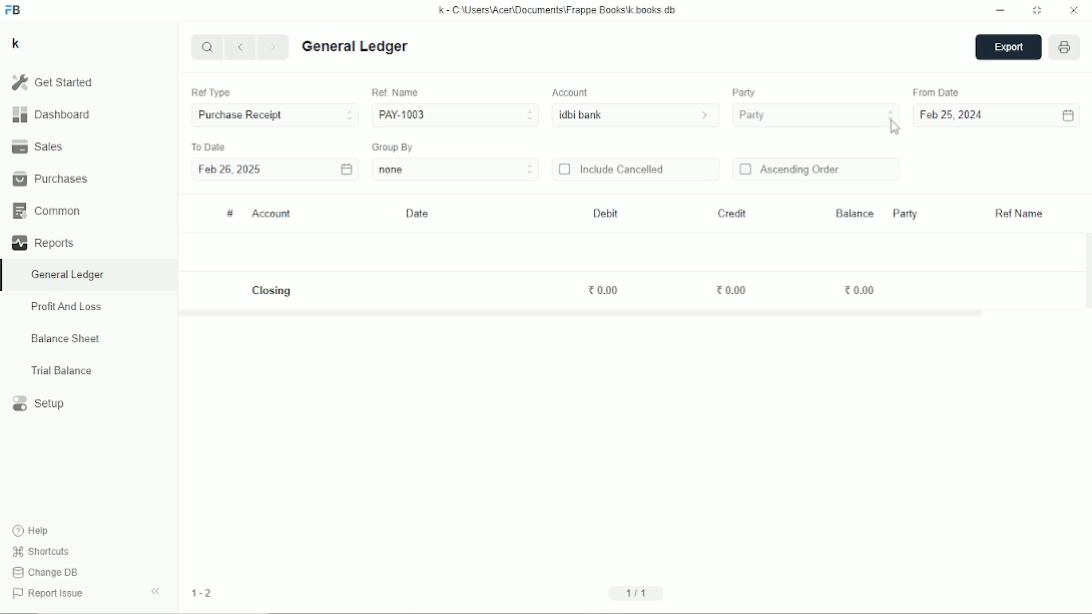  Describe the element at coordinates (938, 92) in the screenshot. I see `From date` at that location.